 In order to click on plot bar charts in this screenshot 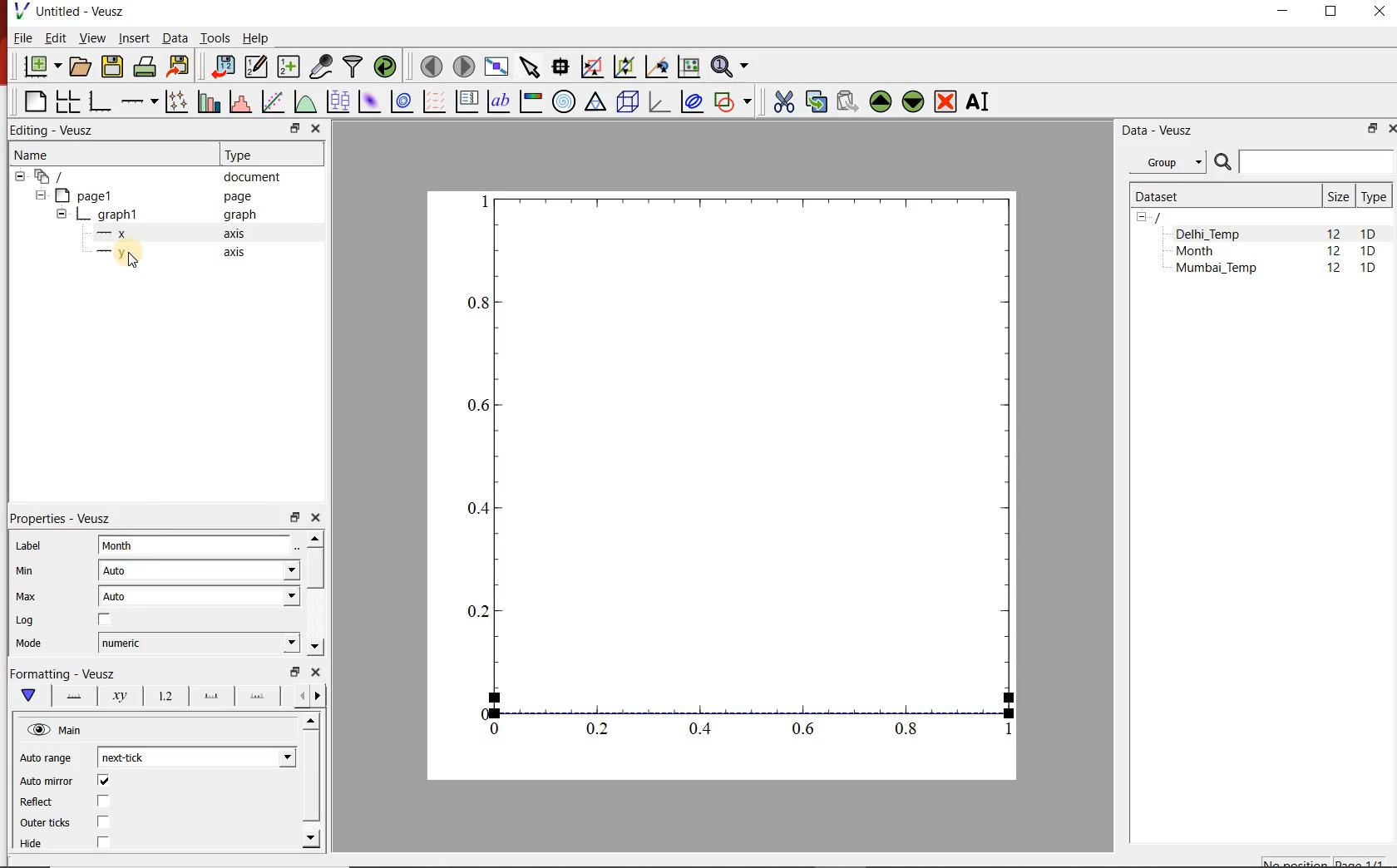, I will do `click(206, 102)`.